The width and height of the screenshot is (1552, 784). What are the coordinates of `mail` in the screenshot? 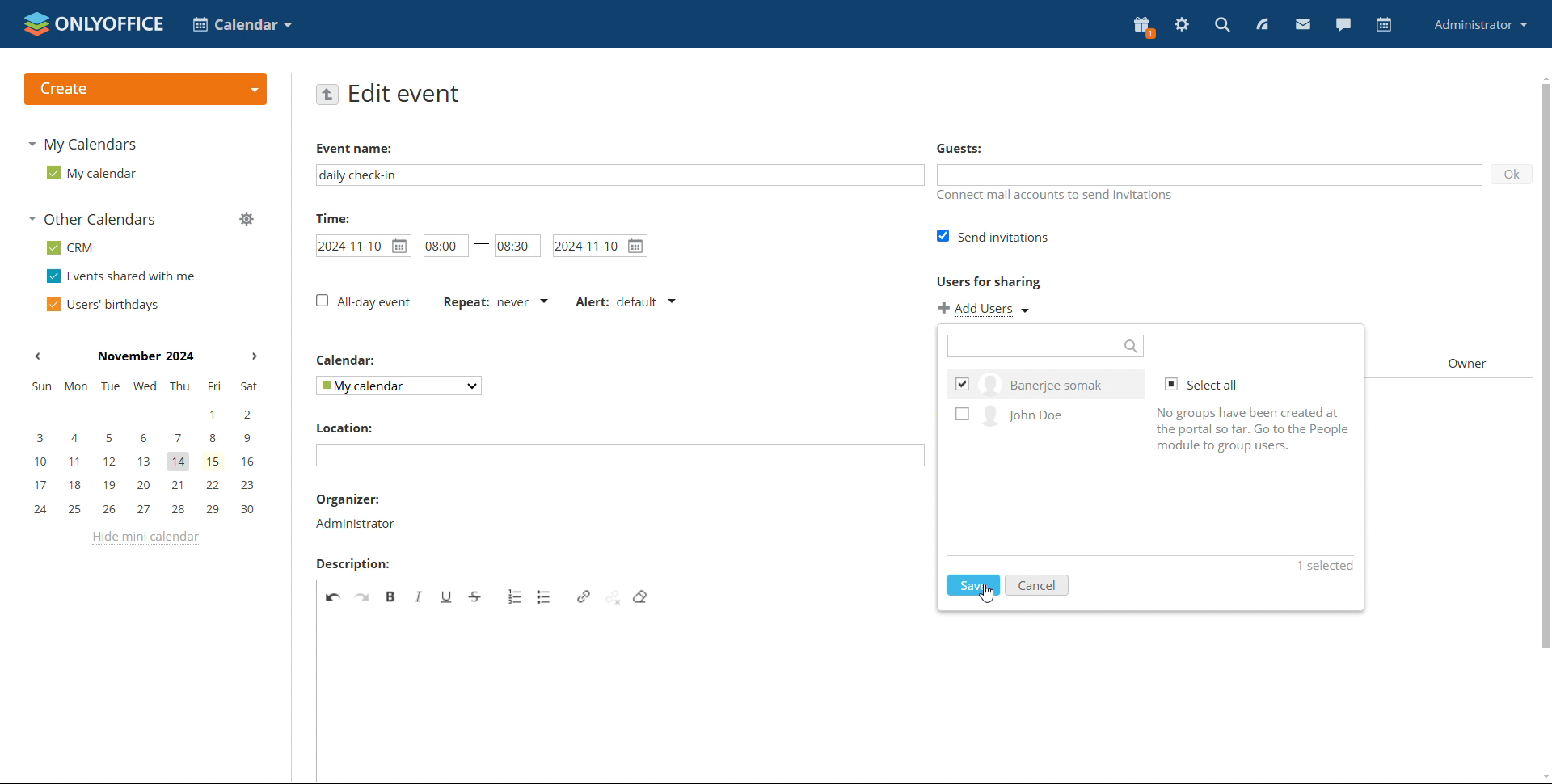 It's located at (1303, 23).